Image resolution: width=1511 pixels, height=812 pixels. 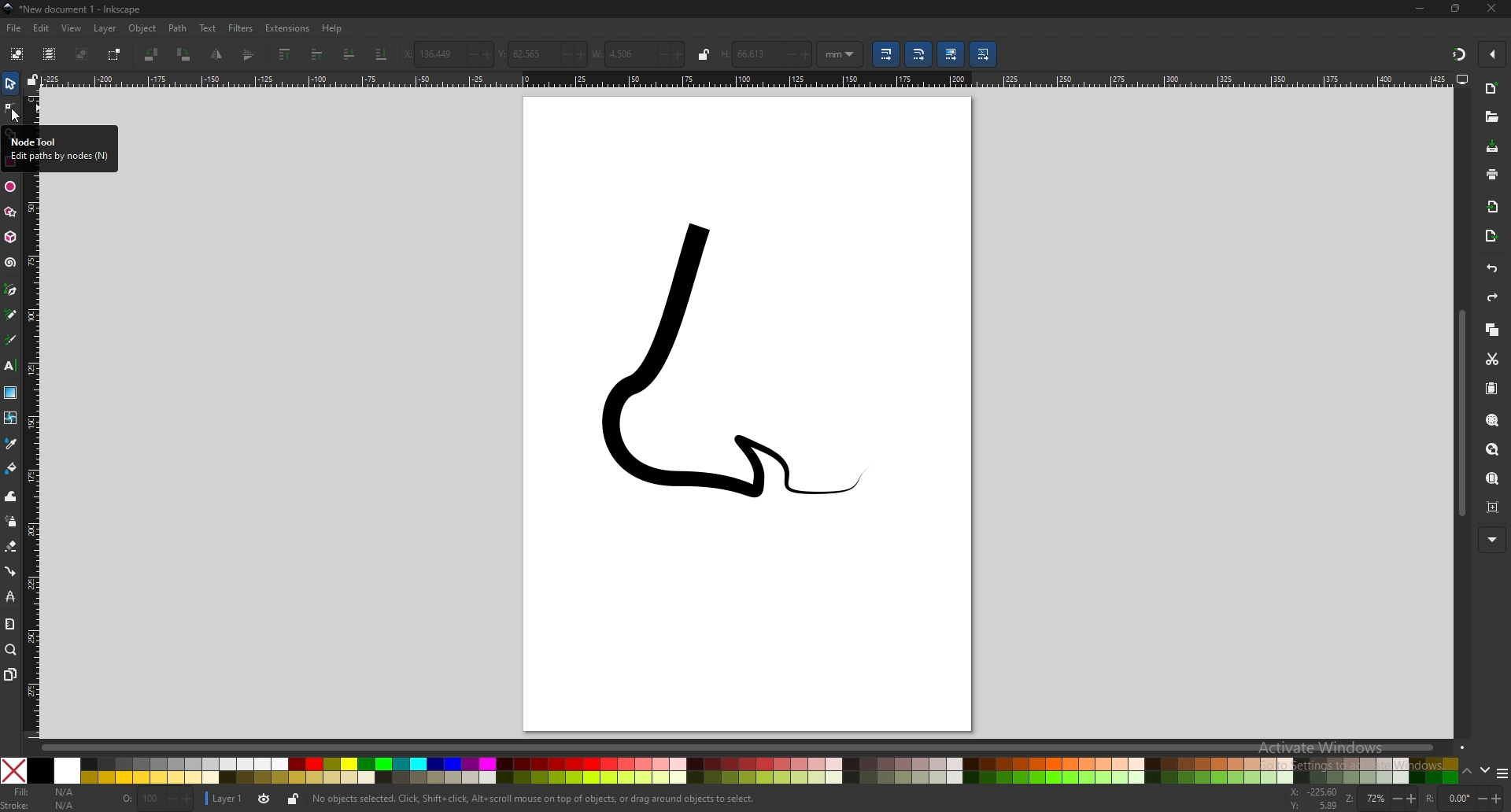 I want to click on zoom, so click(x=1391, y=800).